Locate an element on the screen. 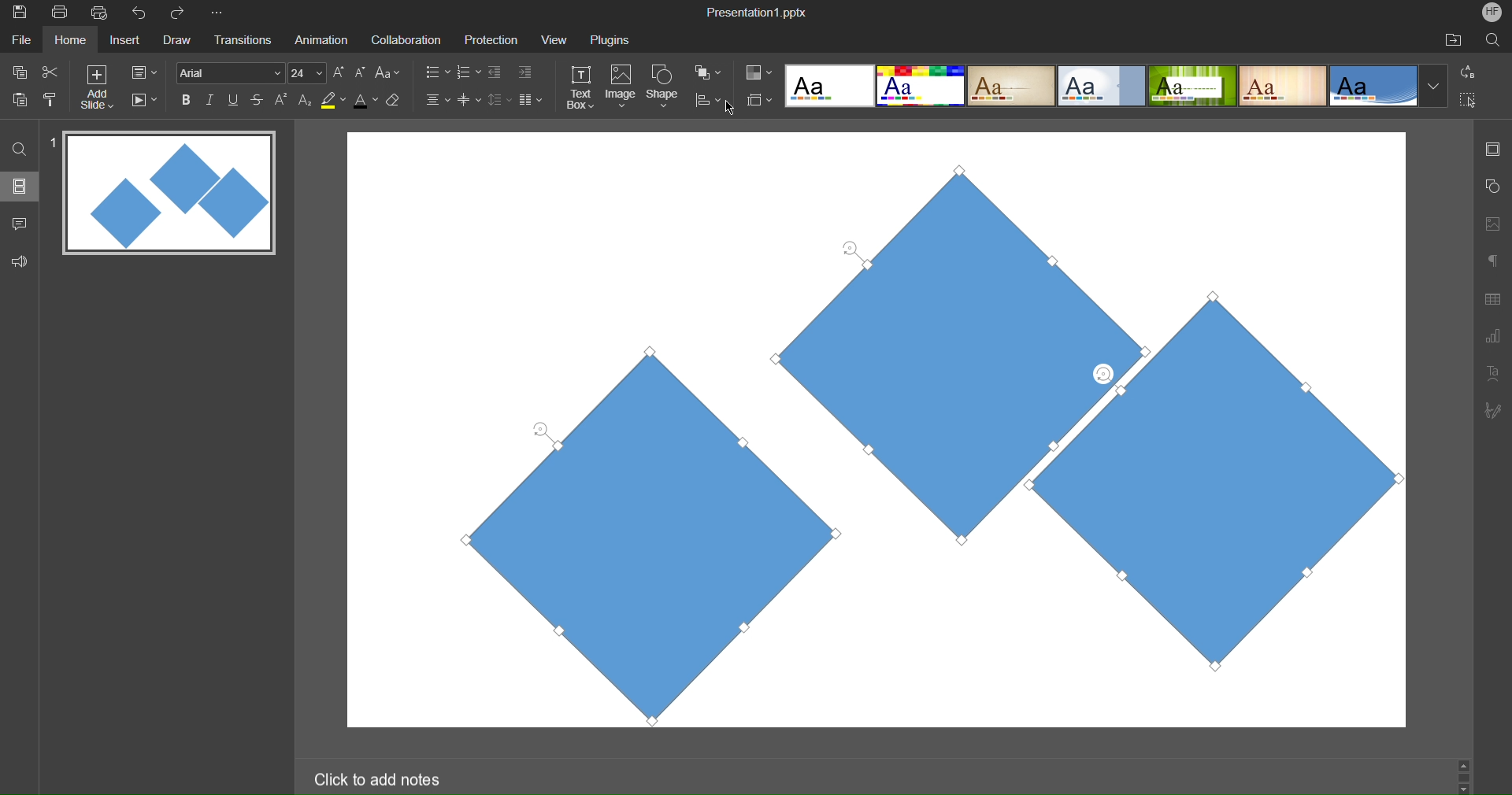 This screenshot has width=1512, height=795. Number List is located at coordinates (467, 74).